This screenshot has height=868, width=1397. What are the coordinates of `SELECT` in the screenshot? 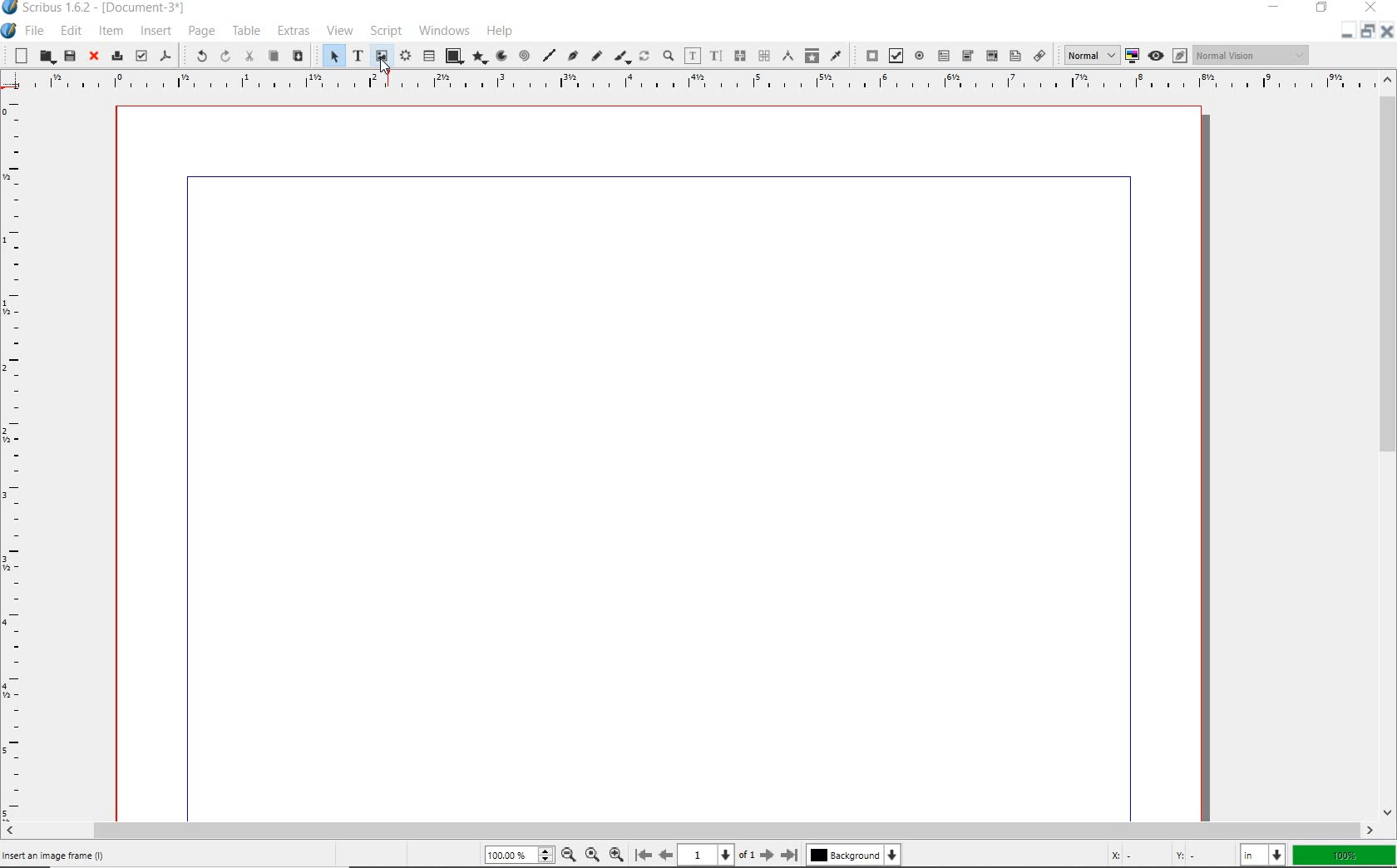 It's located at (333, 55).